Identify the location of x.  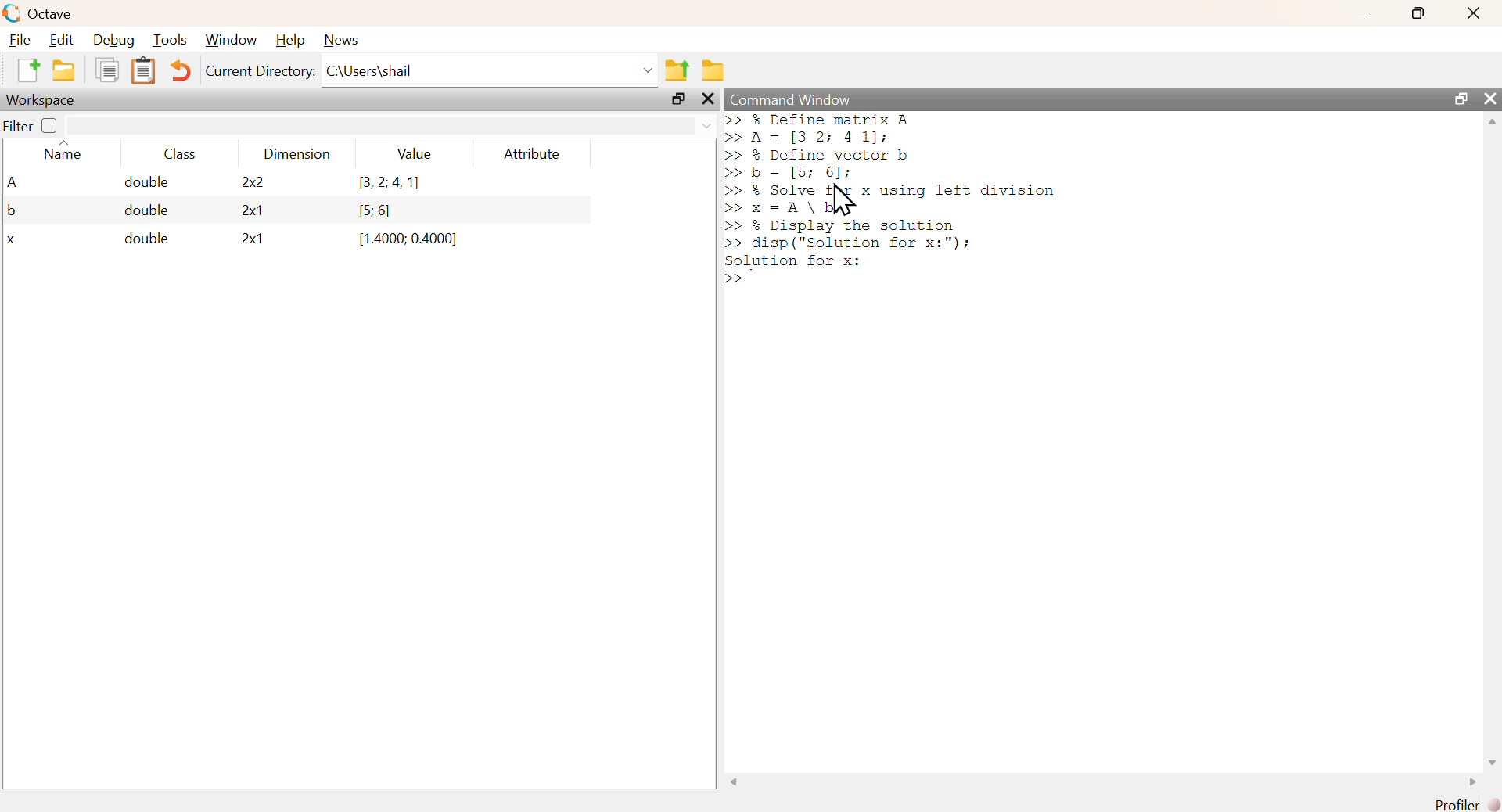
(15, 241).